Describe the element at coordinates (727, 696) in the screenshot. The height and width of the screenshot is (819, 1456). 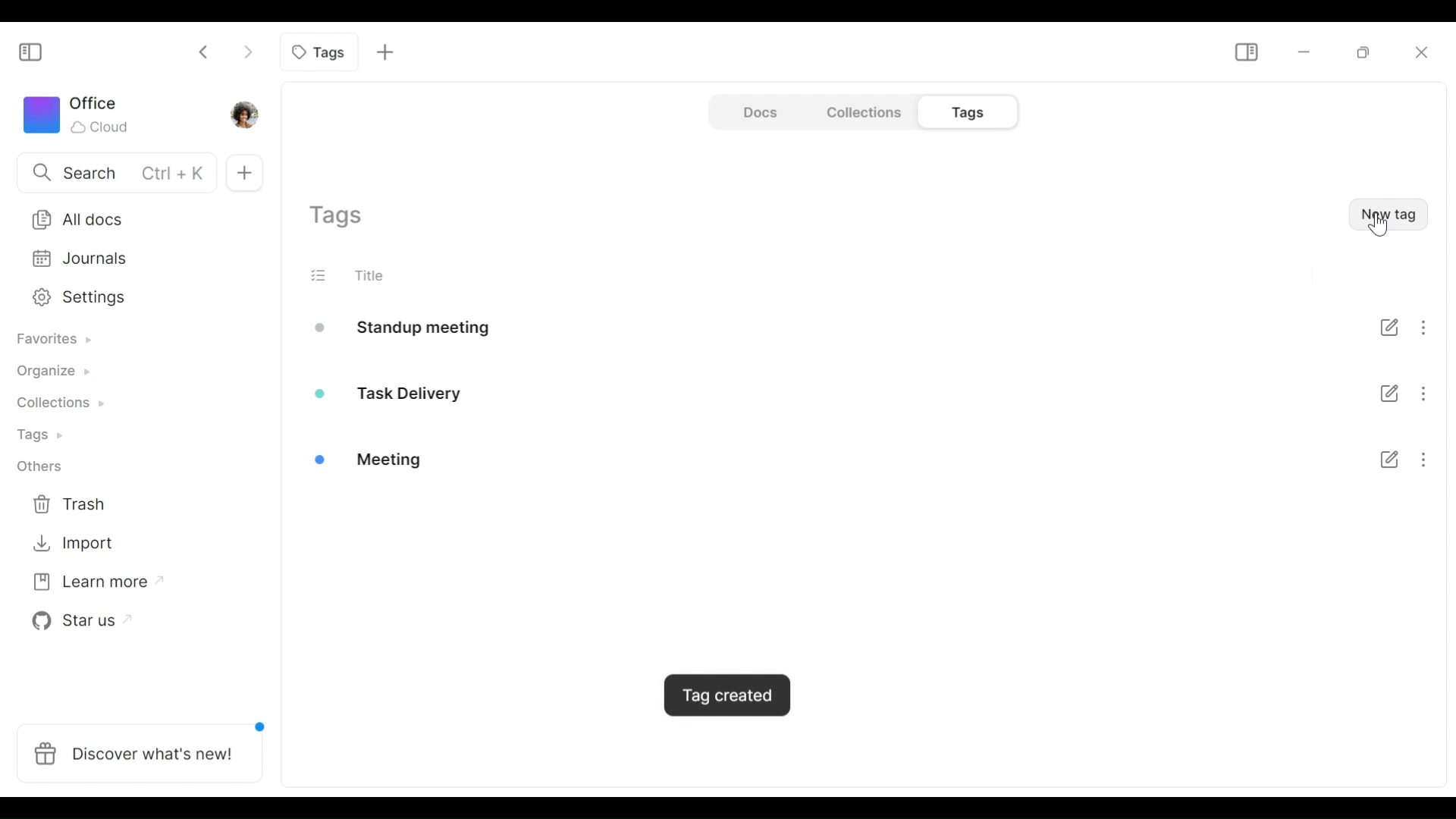
I see `Popup` at that location.